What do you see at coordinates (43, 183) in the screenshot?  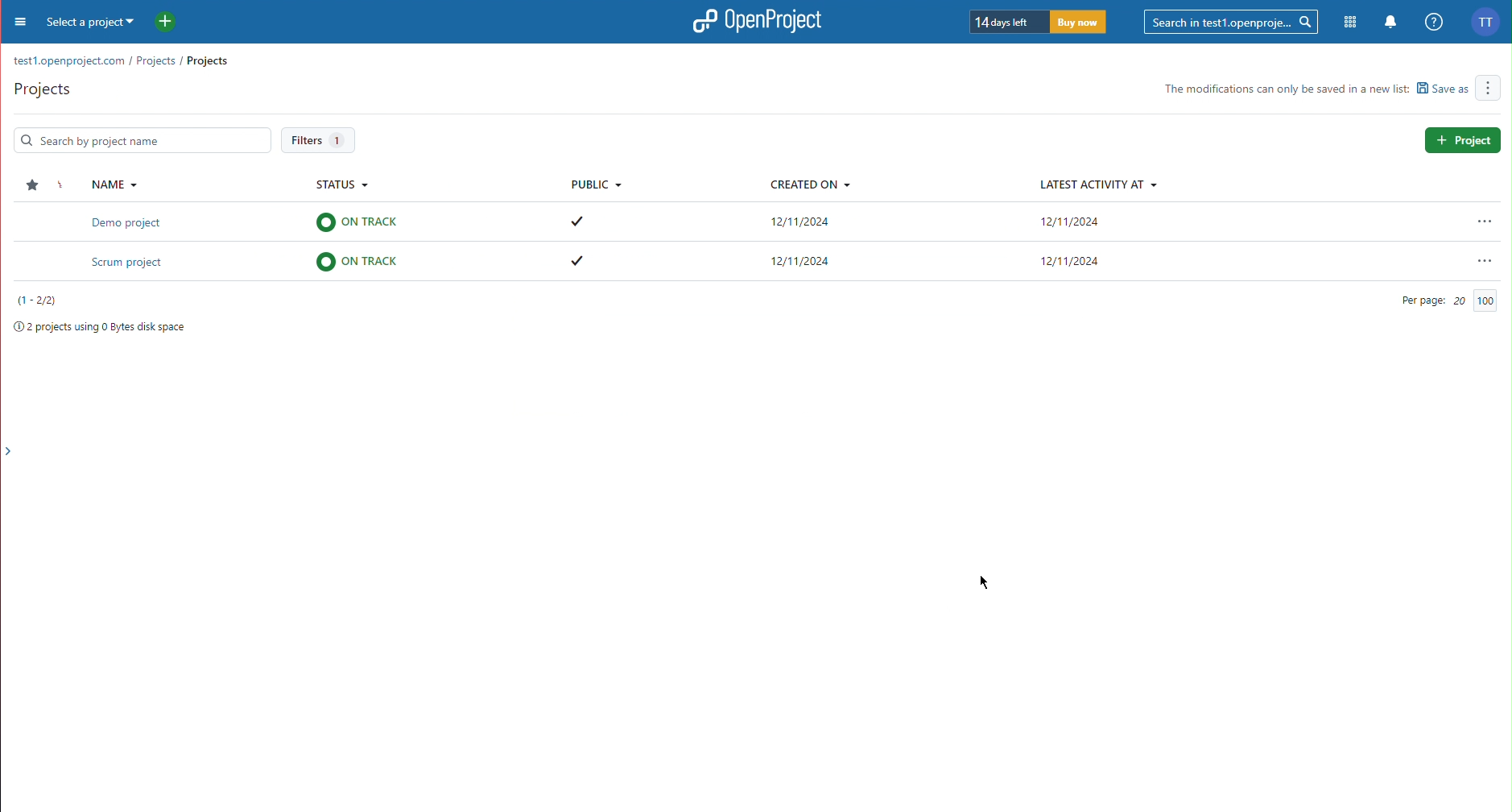 I see `Star` at bounding box center [43, 183].